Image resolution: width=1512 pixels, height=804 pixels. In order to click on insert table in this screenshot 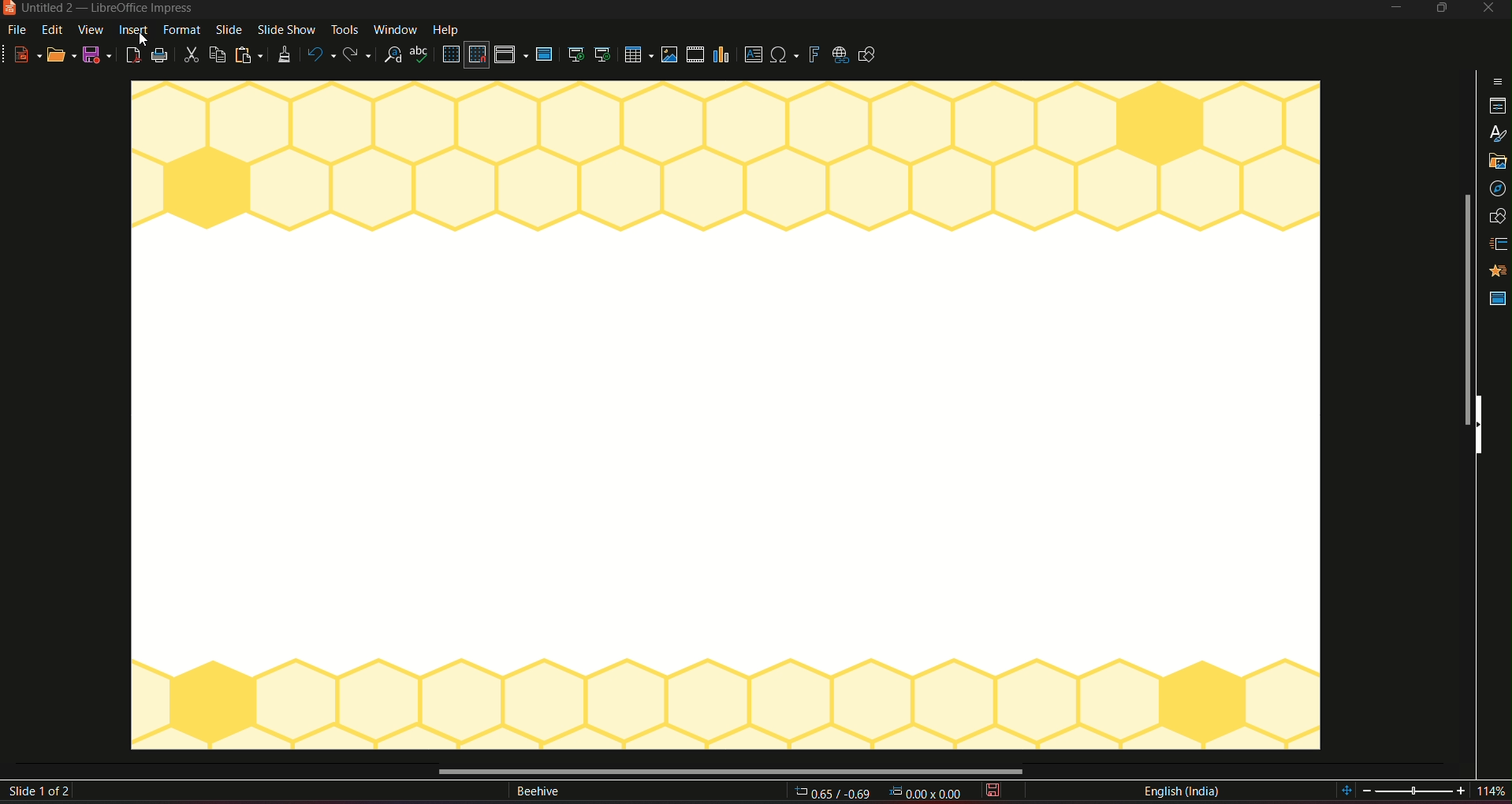, I will do `click(636, 54)`.